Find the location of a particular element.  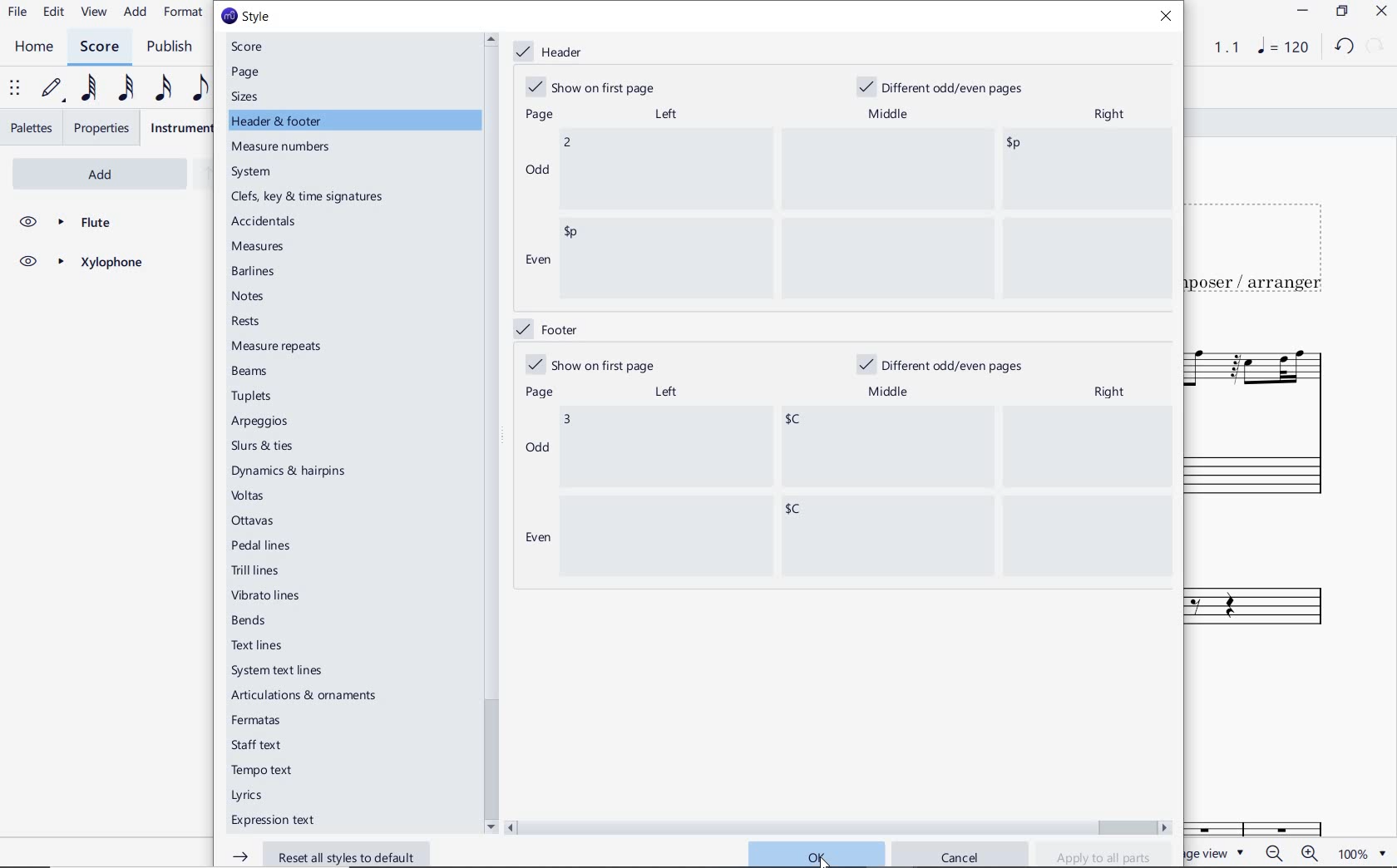

scrollbar is located at coordinates (489, 432).